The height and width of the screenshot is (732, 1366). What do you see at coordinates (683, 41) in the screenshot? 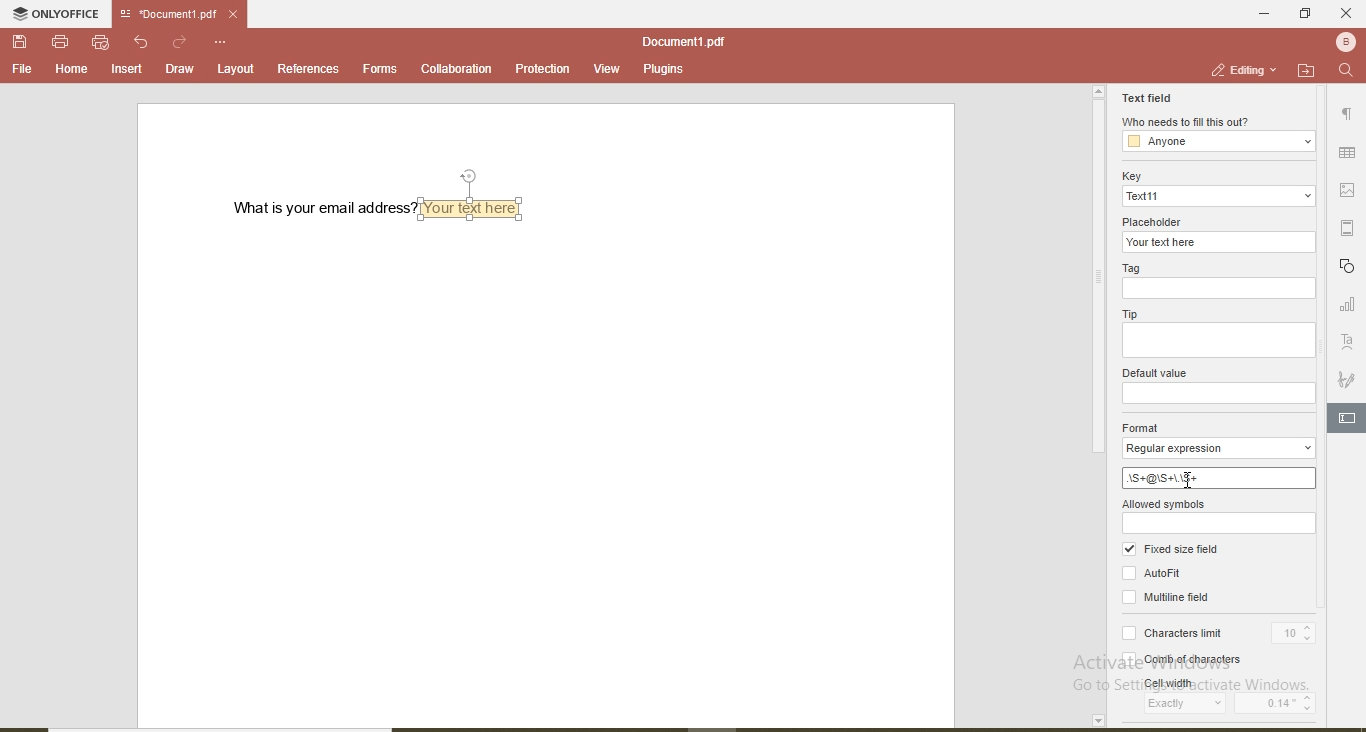
I see `file name` at bounding box center [683, 41].